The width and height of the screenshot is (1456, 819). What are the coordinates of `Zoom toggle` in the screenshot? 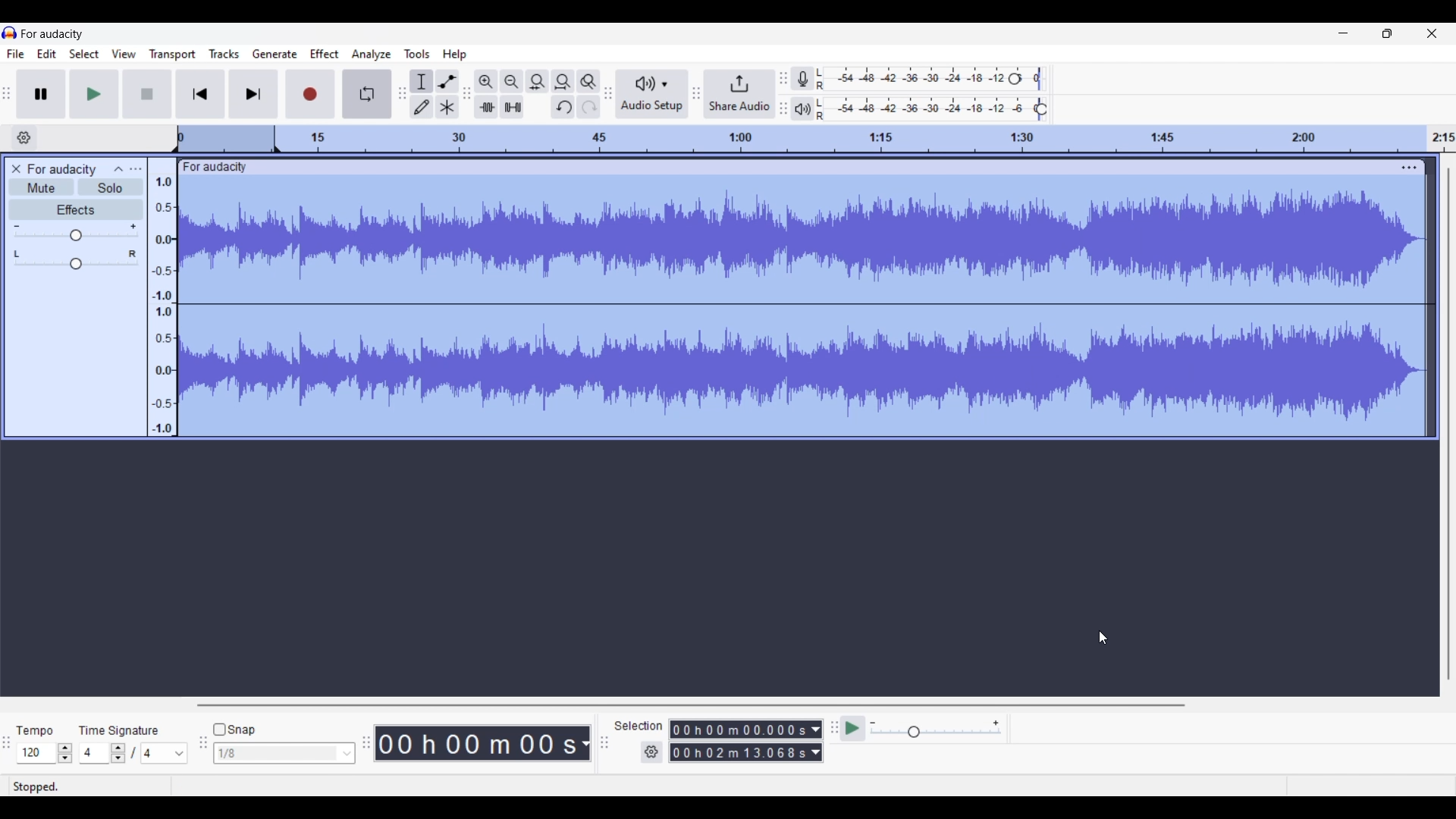 It's located at (589, 81).